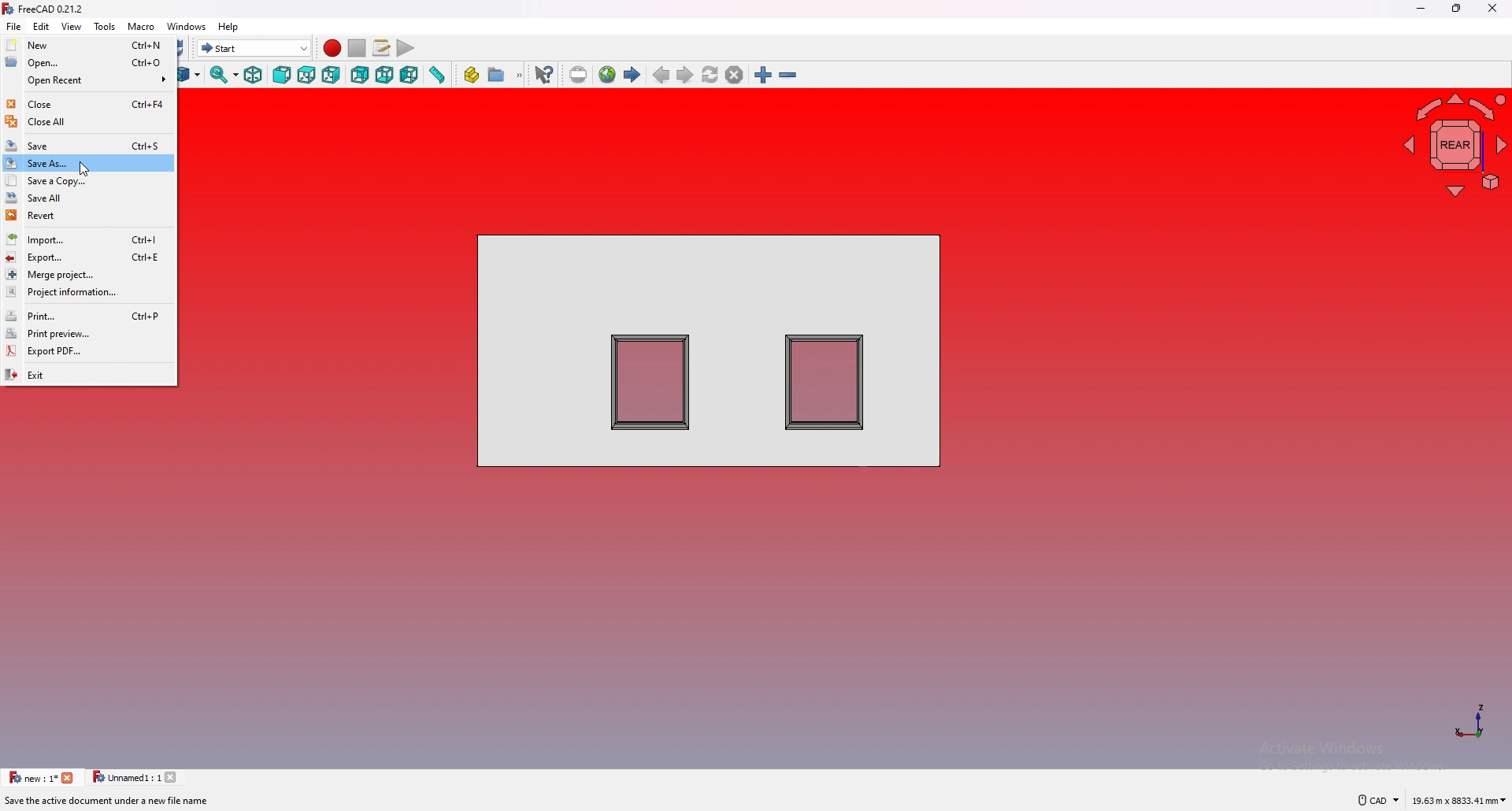  Describe the element at coordinates (142, 26) in the screenshot. I see `macro` at that location.